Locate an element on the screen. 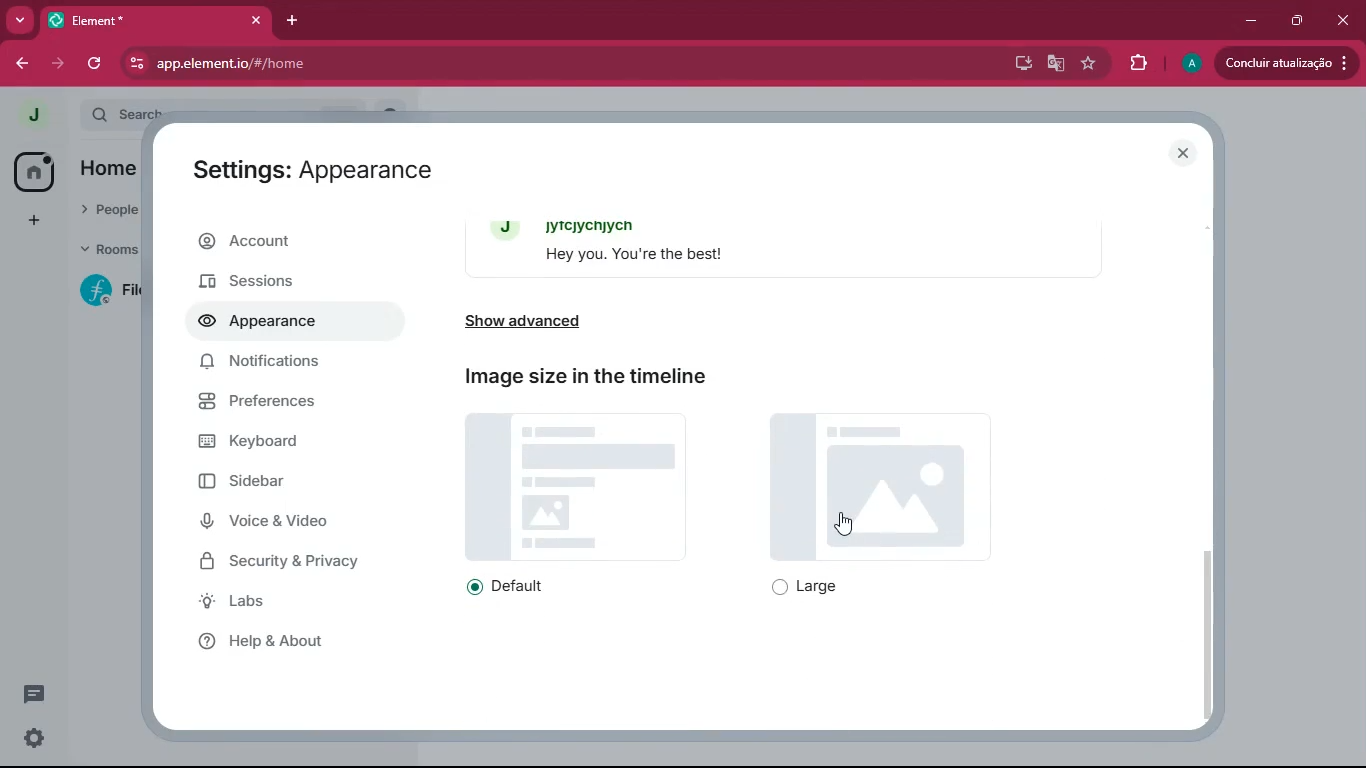  more is located at coordinates (19, 19).